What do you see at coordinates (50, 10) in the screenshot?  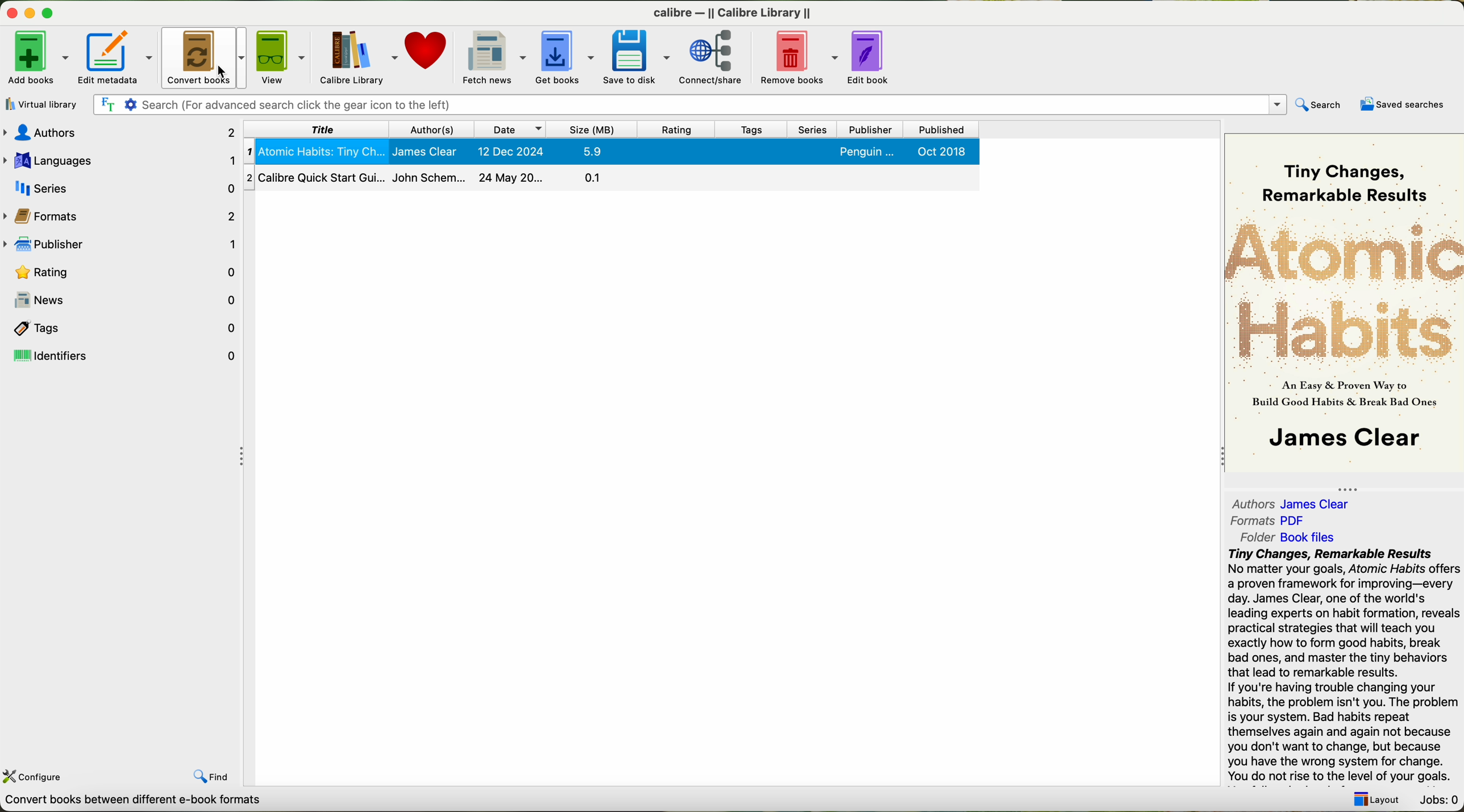 I see `maximize` at bounding box center [50, 10].